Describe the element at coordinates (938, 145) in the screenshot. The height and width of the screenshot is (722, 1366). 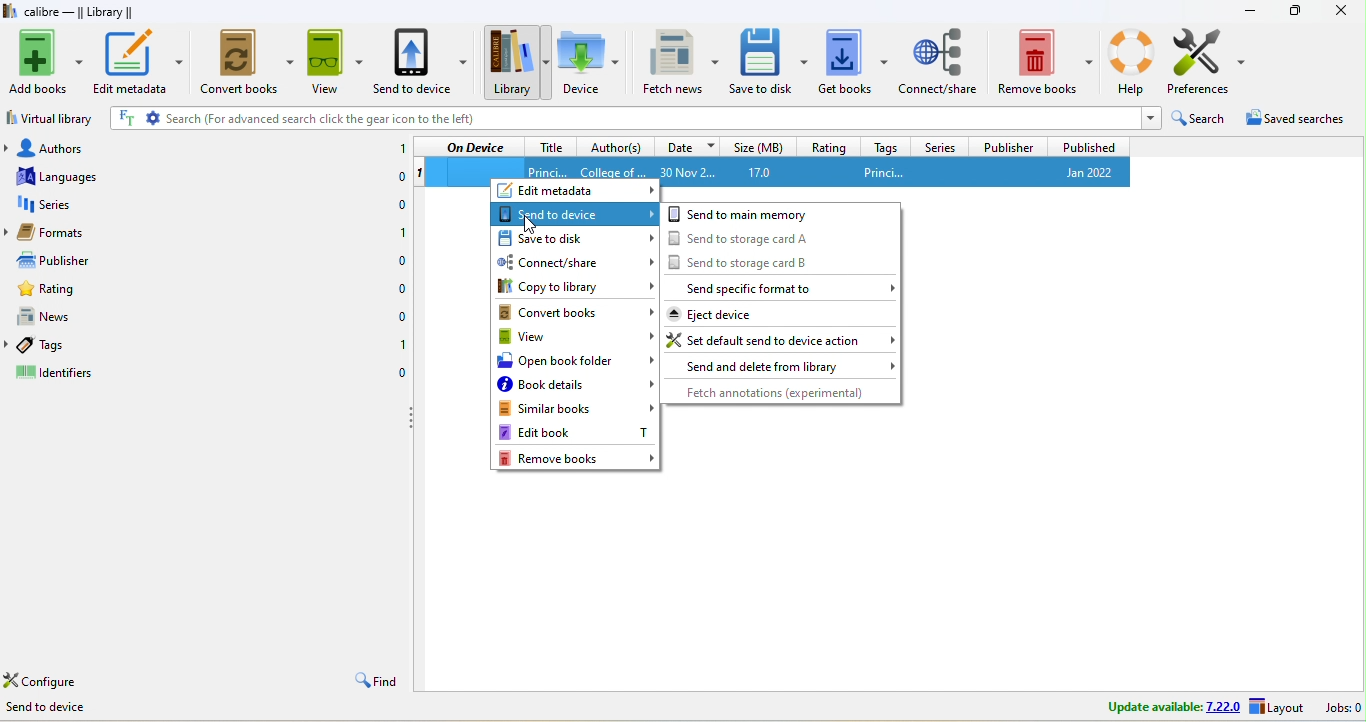
I see `series` at that location.